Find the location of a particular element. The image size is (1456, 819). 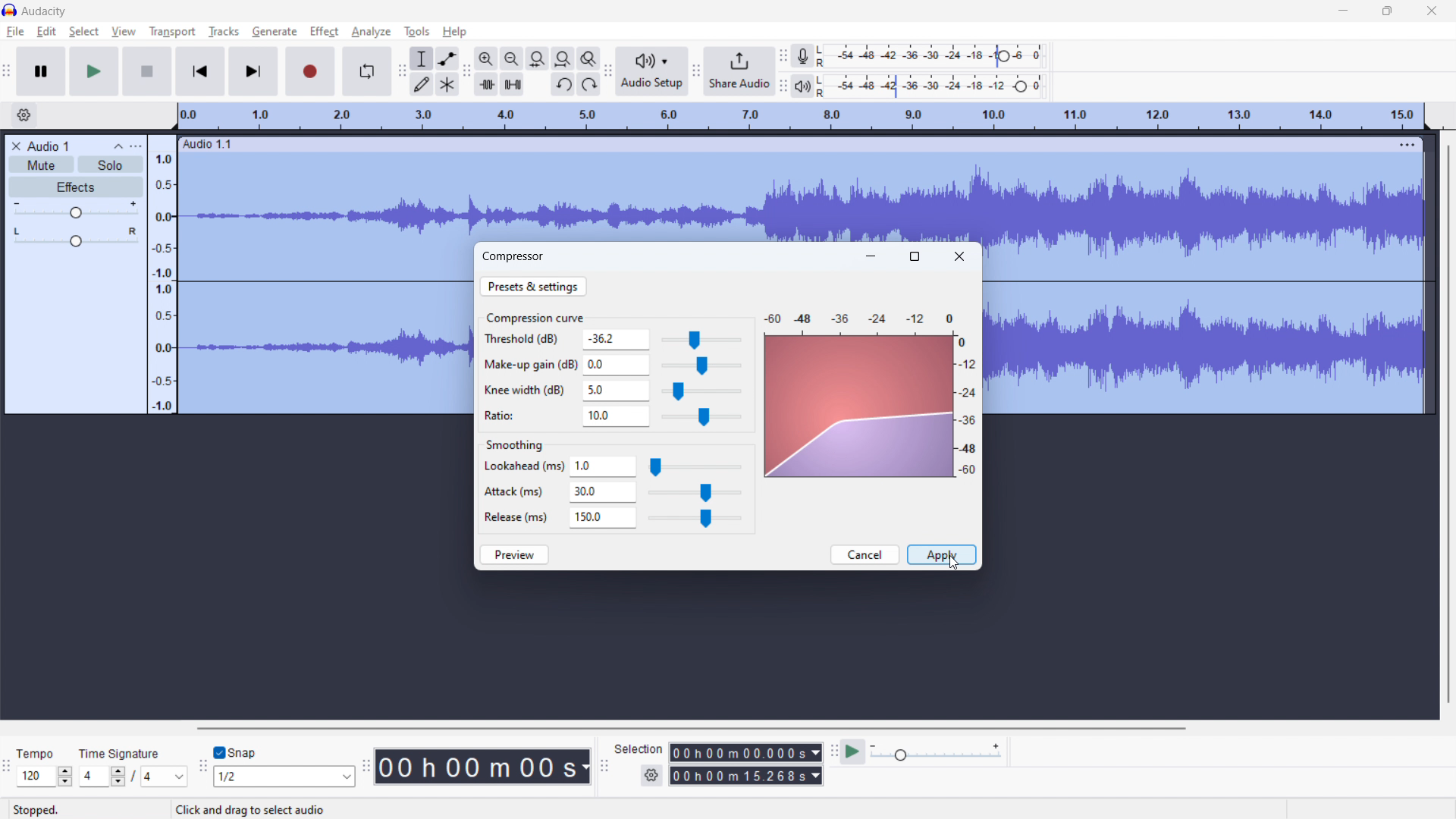

edit is located at coordinates (47, 31).